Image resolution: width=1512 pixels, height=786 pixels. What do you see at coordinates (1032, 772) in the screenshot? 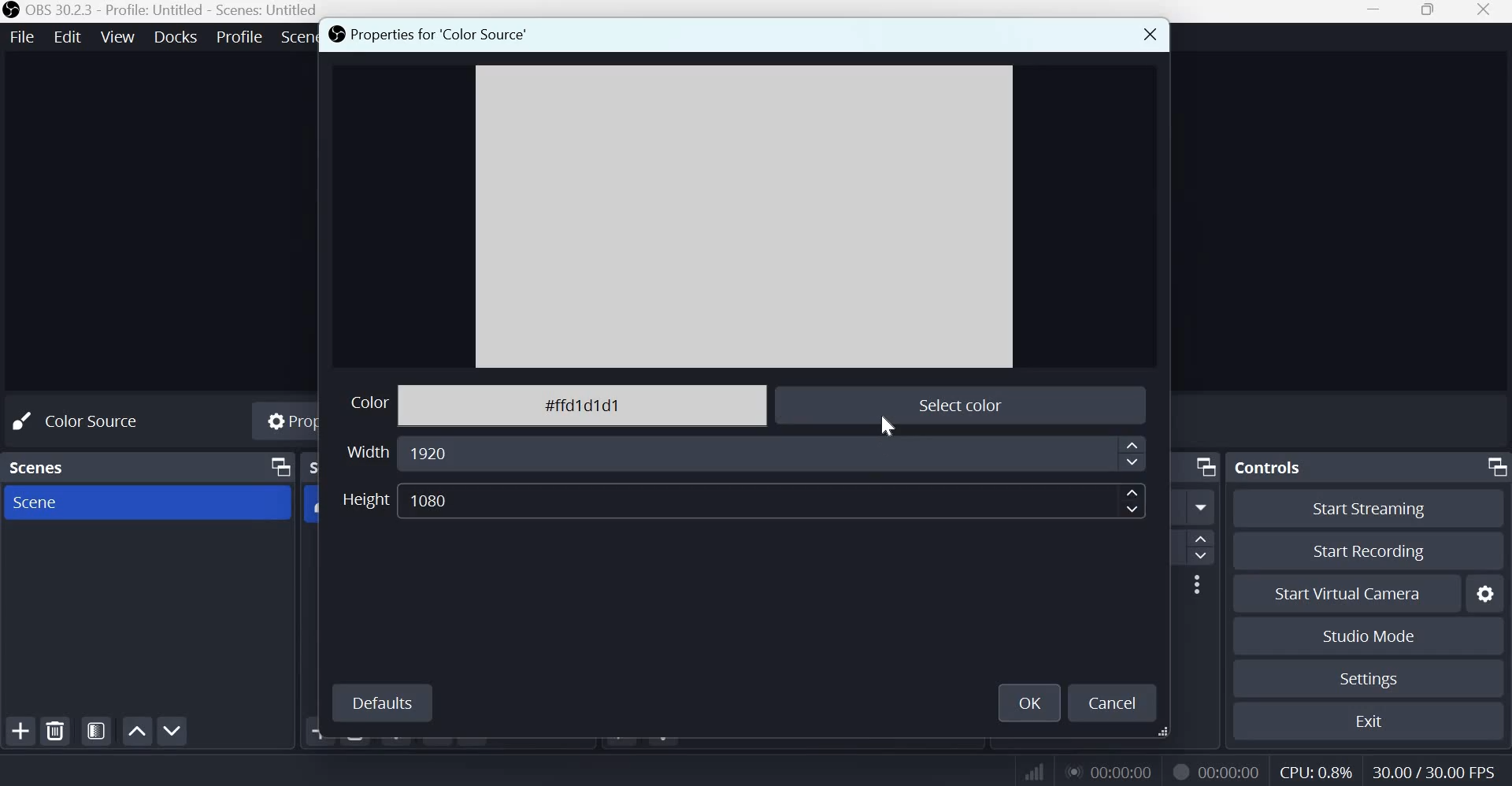
I see `Connection Status Indicator` at bounding box center [1032, 772].